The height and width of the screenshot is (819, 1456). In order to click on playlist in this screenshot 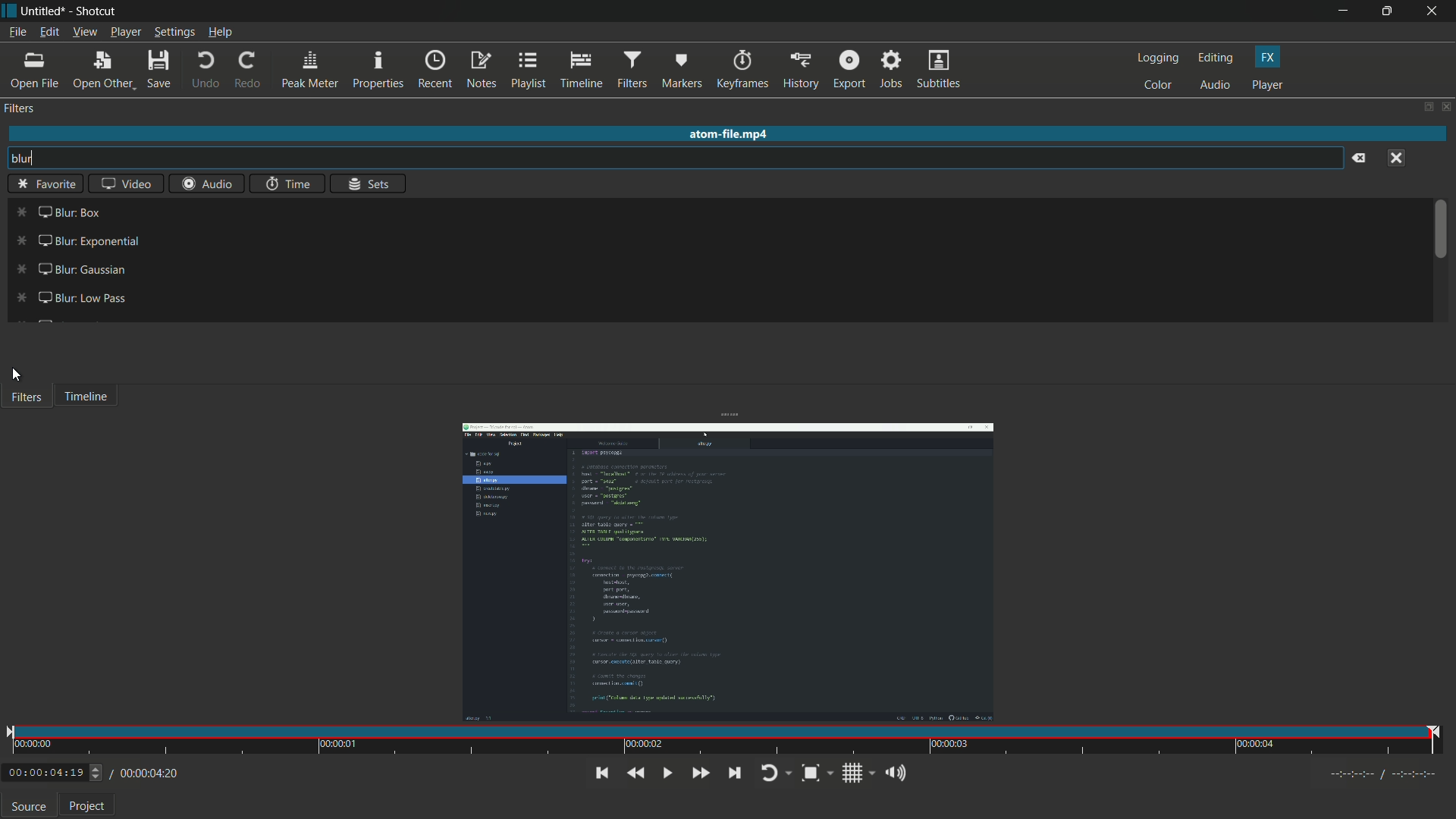, I will do `click(527, 69)`.